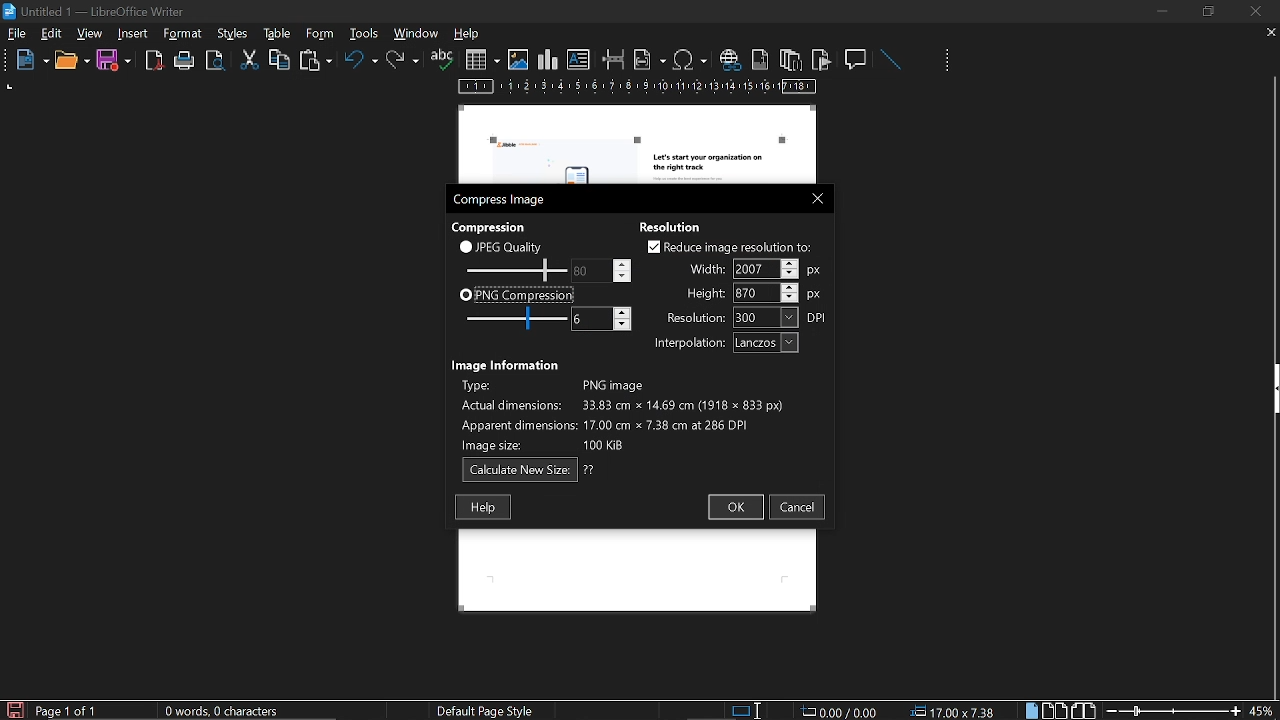 This screenshot has width=1280, height=720. I want to click on position, so click(956, 711).